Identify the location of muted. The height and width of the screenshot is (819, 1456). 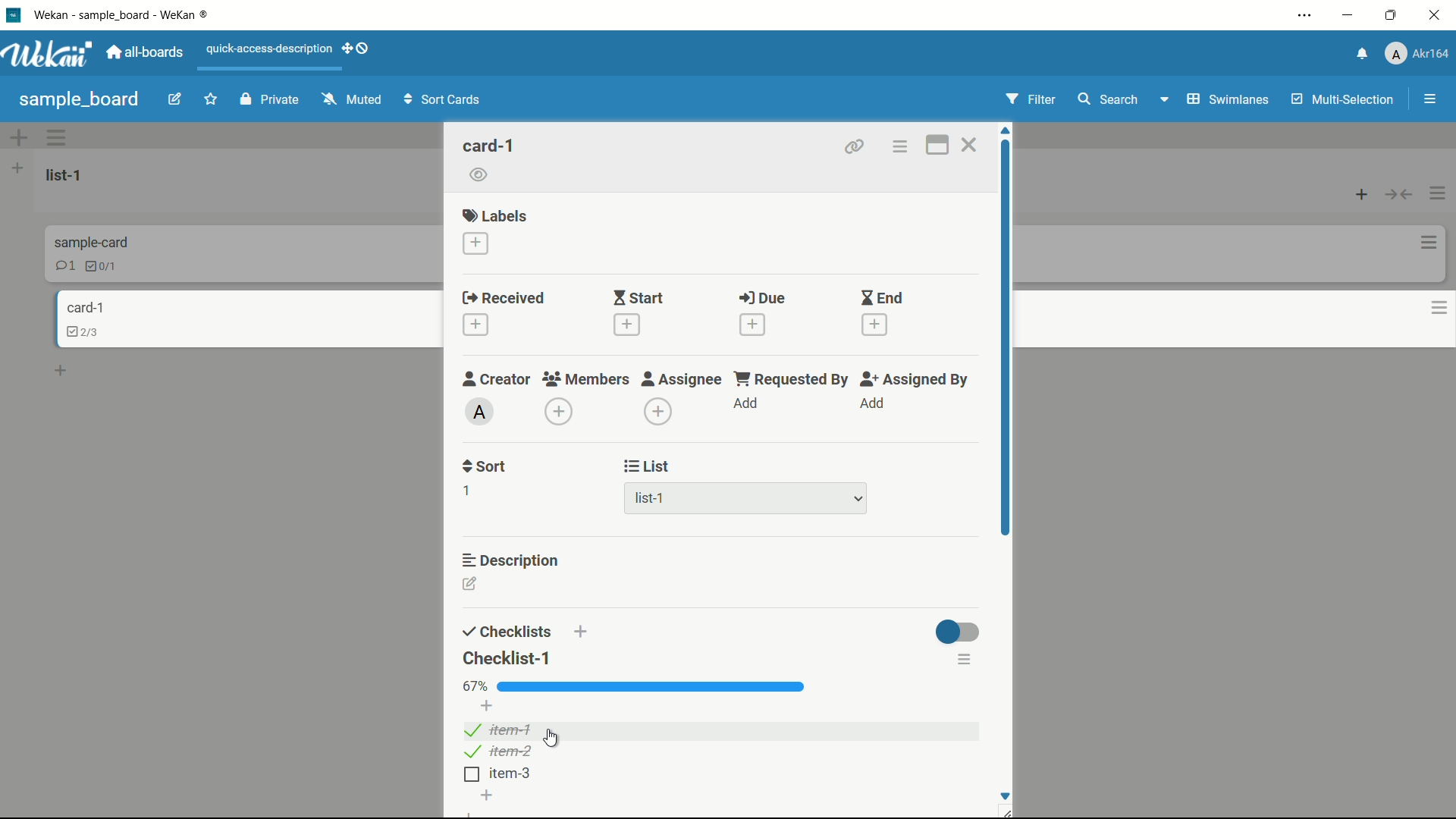
(353, 99).